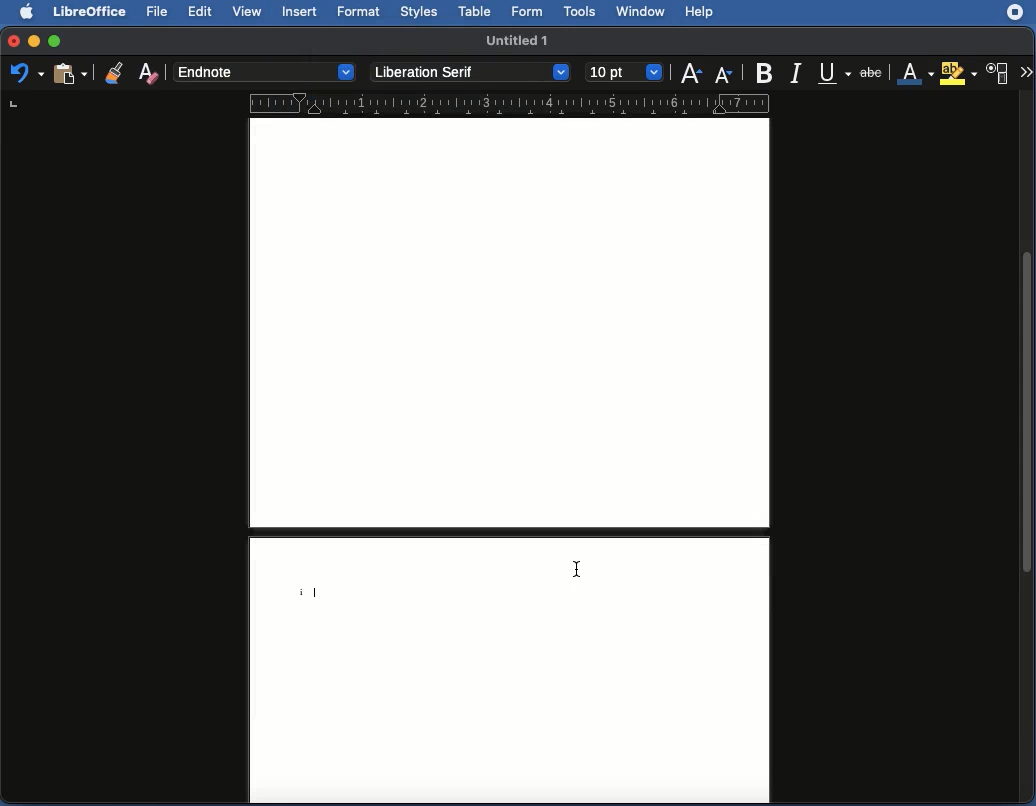 The image size is (1036, 806). Describe the element at coordinates (394, 101) in the screenshot. I see `Ruler` at that location.